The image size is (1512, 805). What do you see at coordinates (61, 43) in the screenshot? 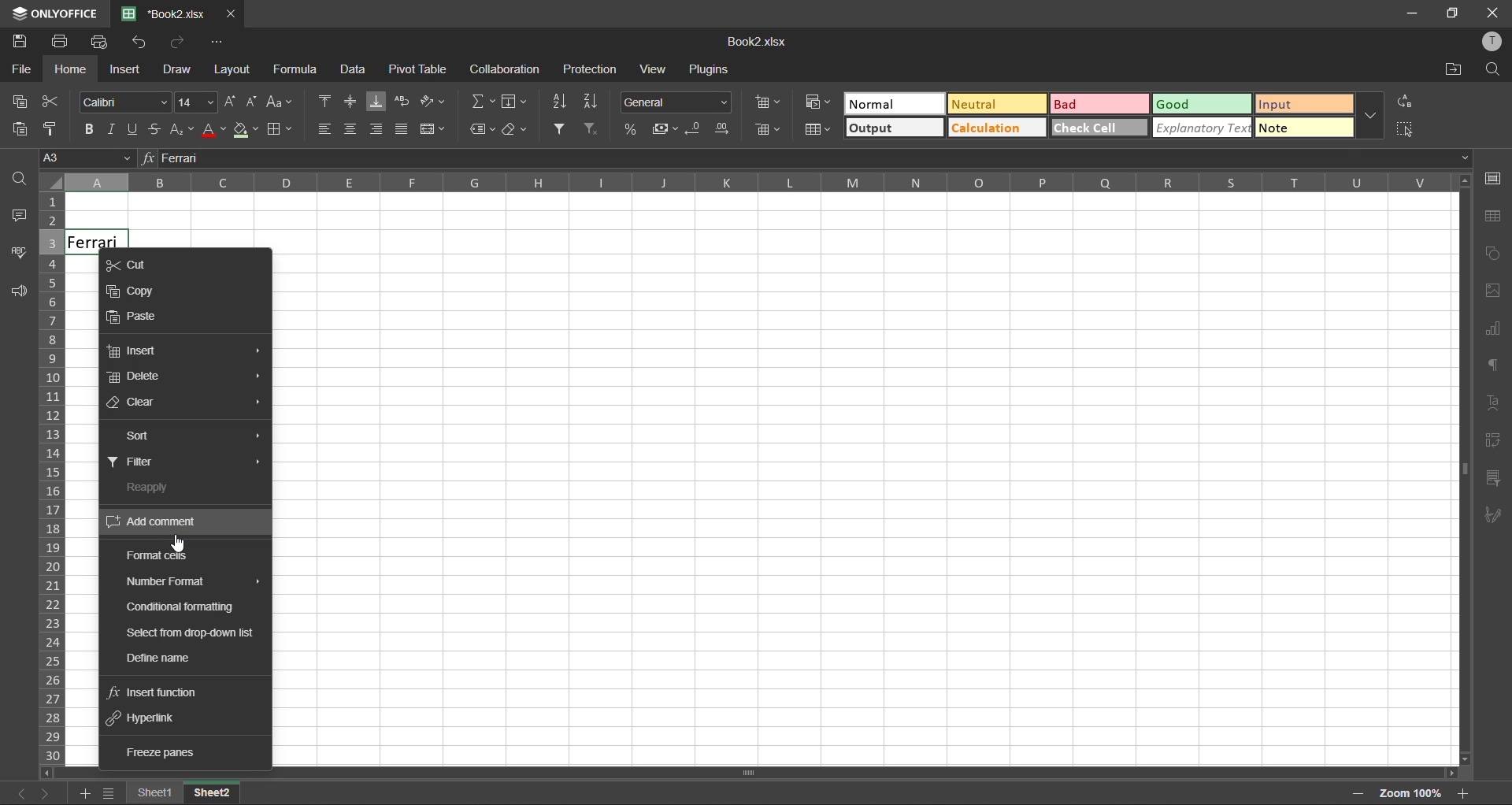
I see `print` at bounding box center [61, 43].